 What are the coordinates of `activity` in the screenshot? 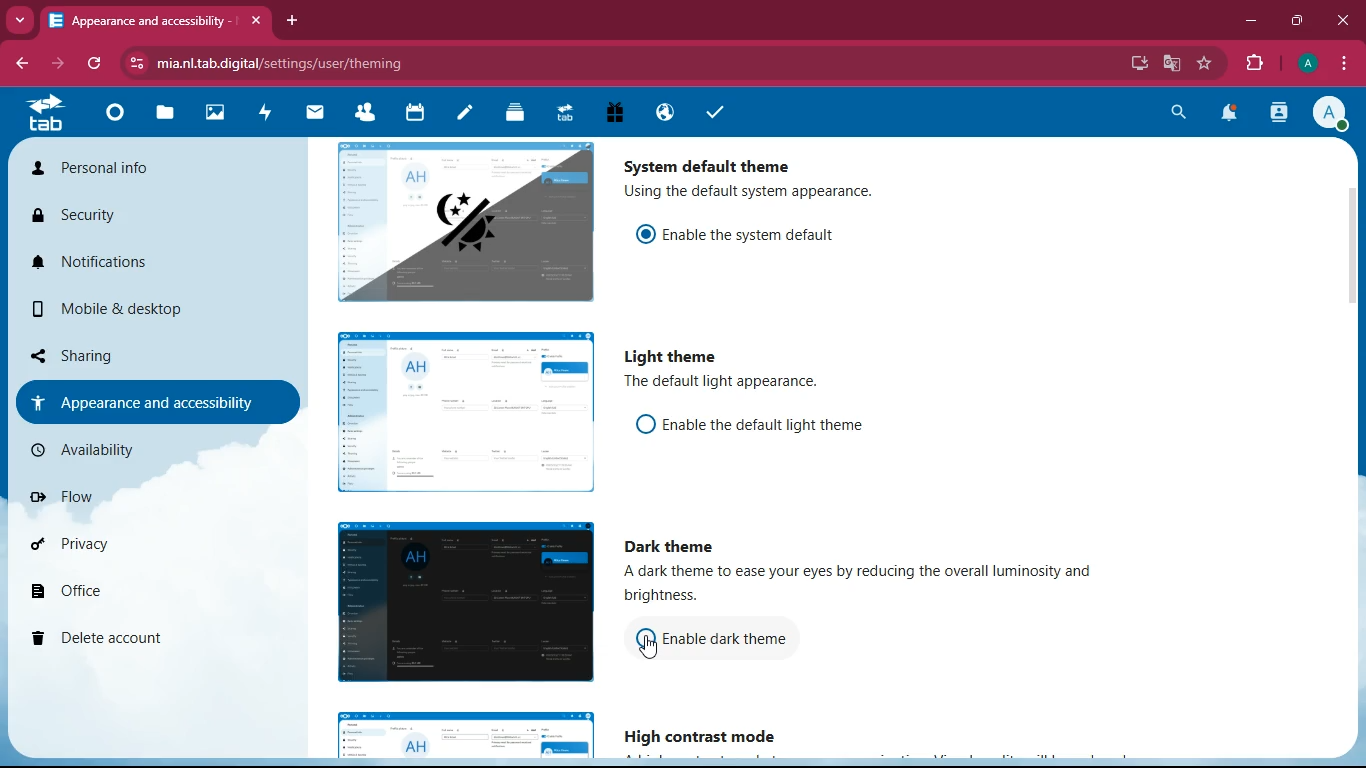 It's located at (266, 112).